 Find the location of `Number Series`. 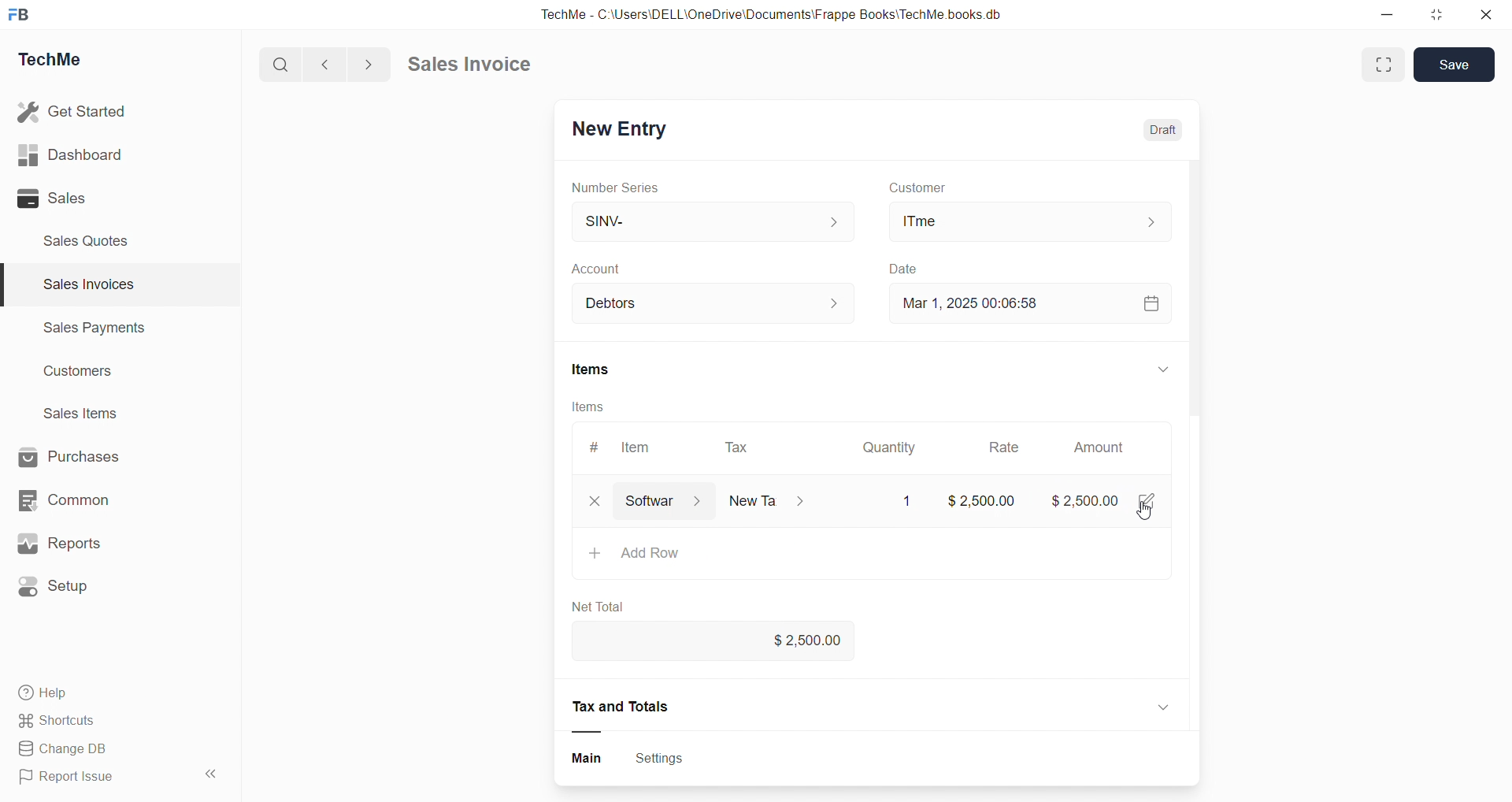

Number Series is located at coordinates (626, 188).